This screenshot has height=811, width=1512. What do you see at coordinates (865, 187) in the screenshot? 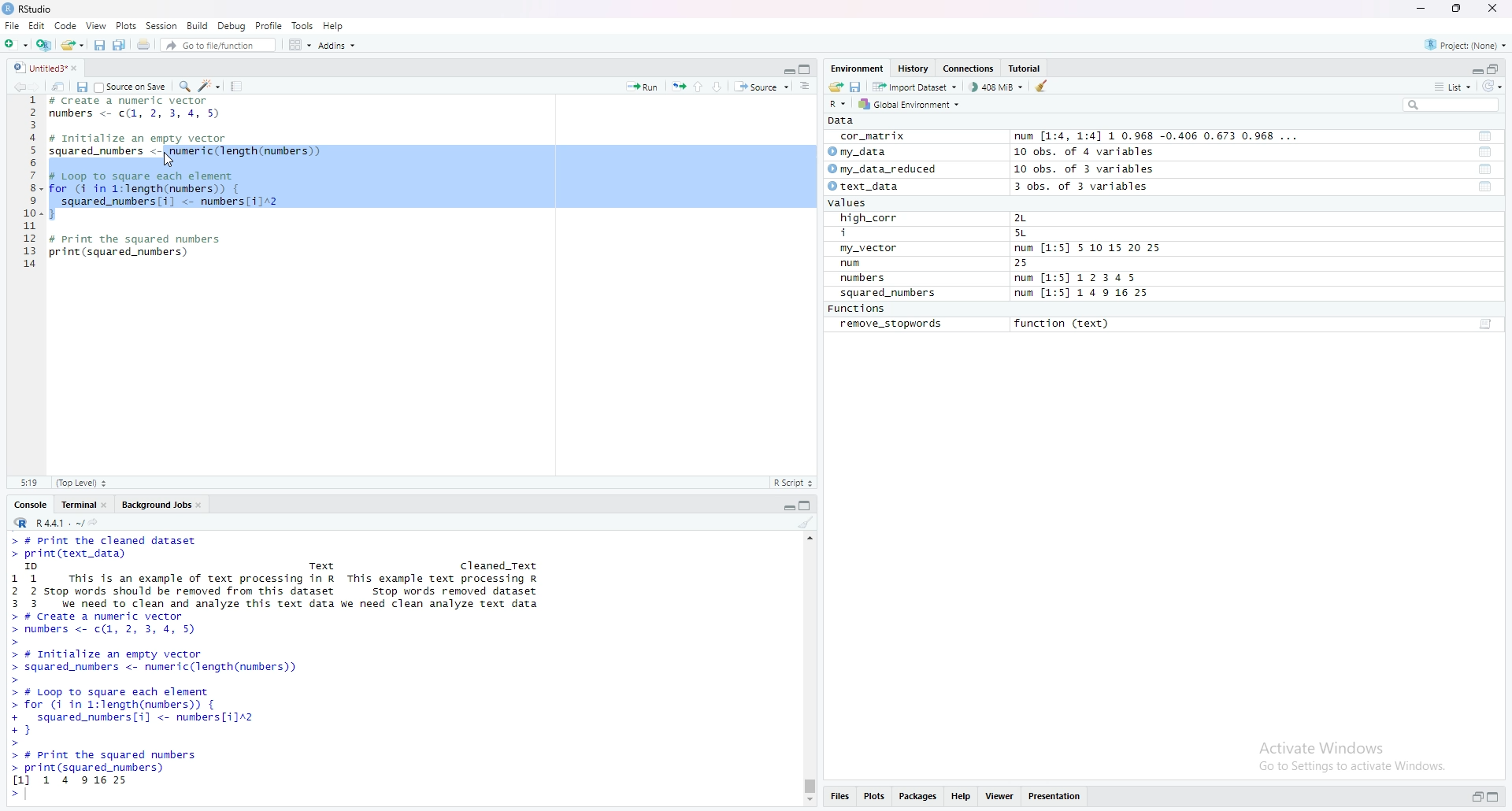
I see `© text_data` at bounding box center [865, 187].